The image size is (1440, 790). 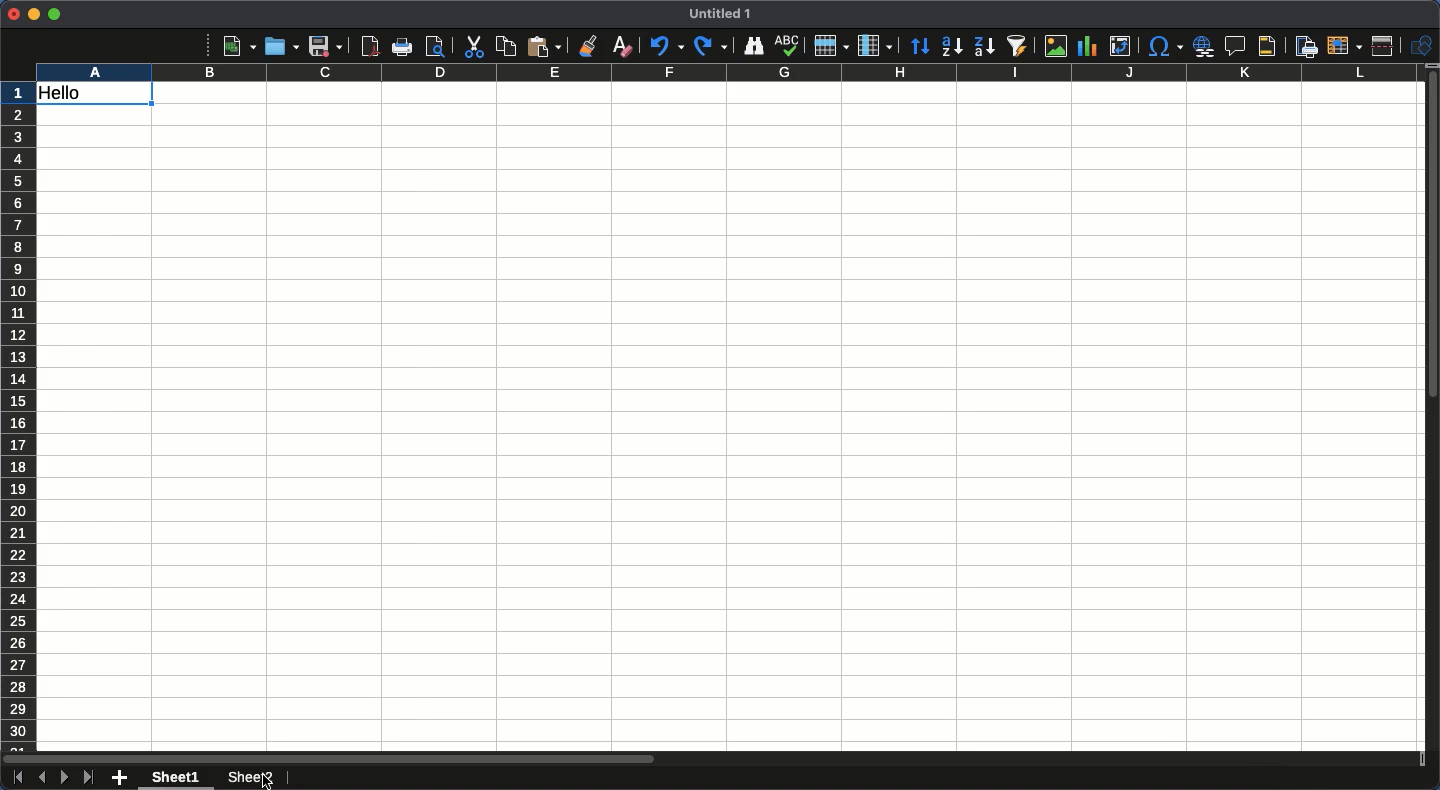 What do you see at coordinates (179, 778) in the screenshot?
I see `Sheet 1` at bounding box center [179, 778].